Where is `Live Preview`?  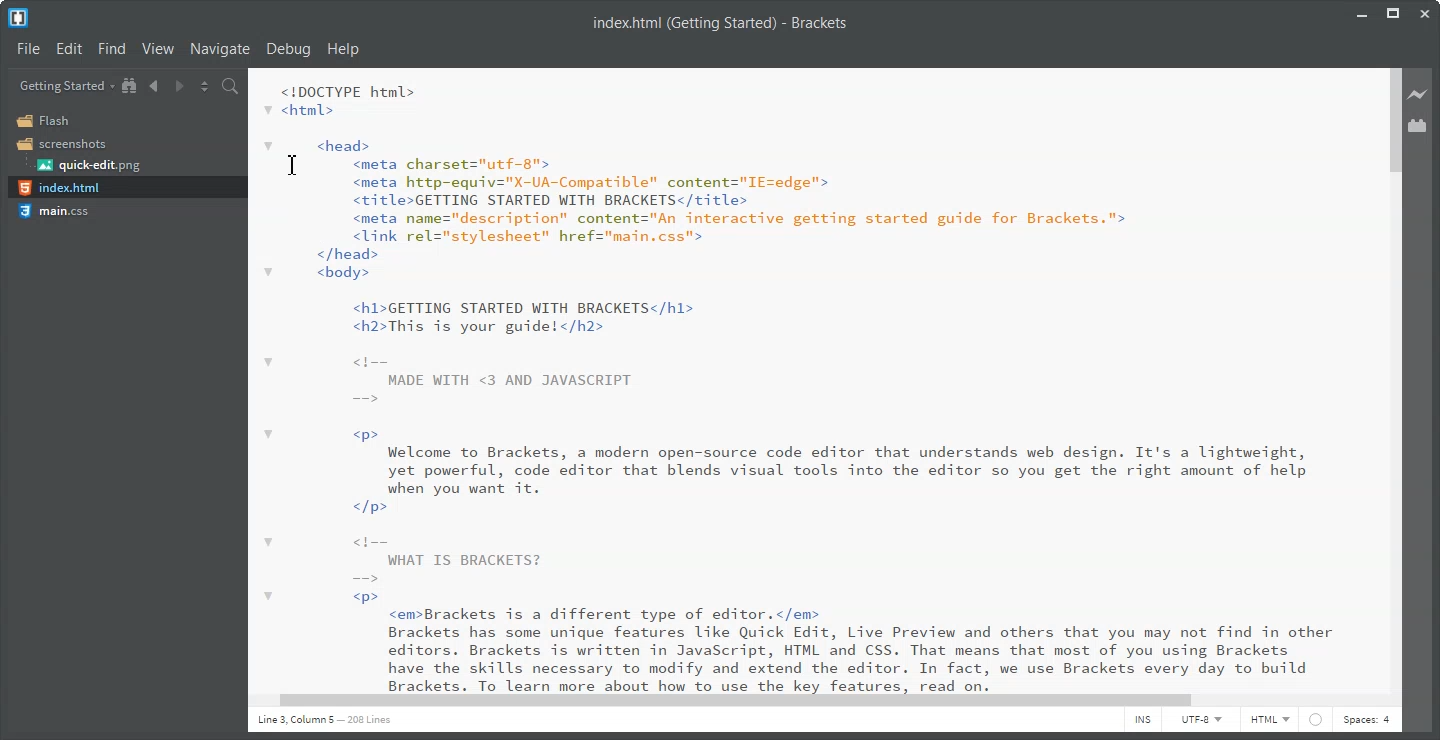 Live Preview is located at coordinates (1420, 94).